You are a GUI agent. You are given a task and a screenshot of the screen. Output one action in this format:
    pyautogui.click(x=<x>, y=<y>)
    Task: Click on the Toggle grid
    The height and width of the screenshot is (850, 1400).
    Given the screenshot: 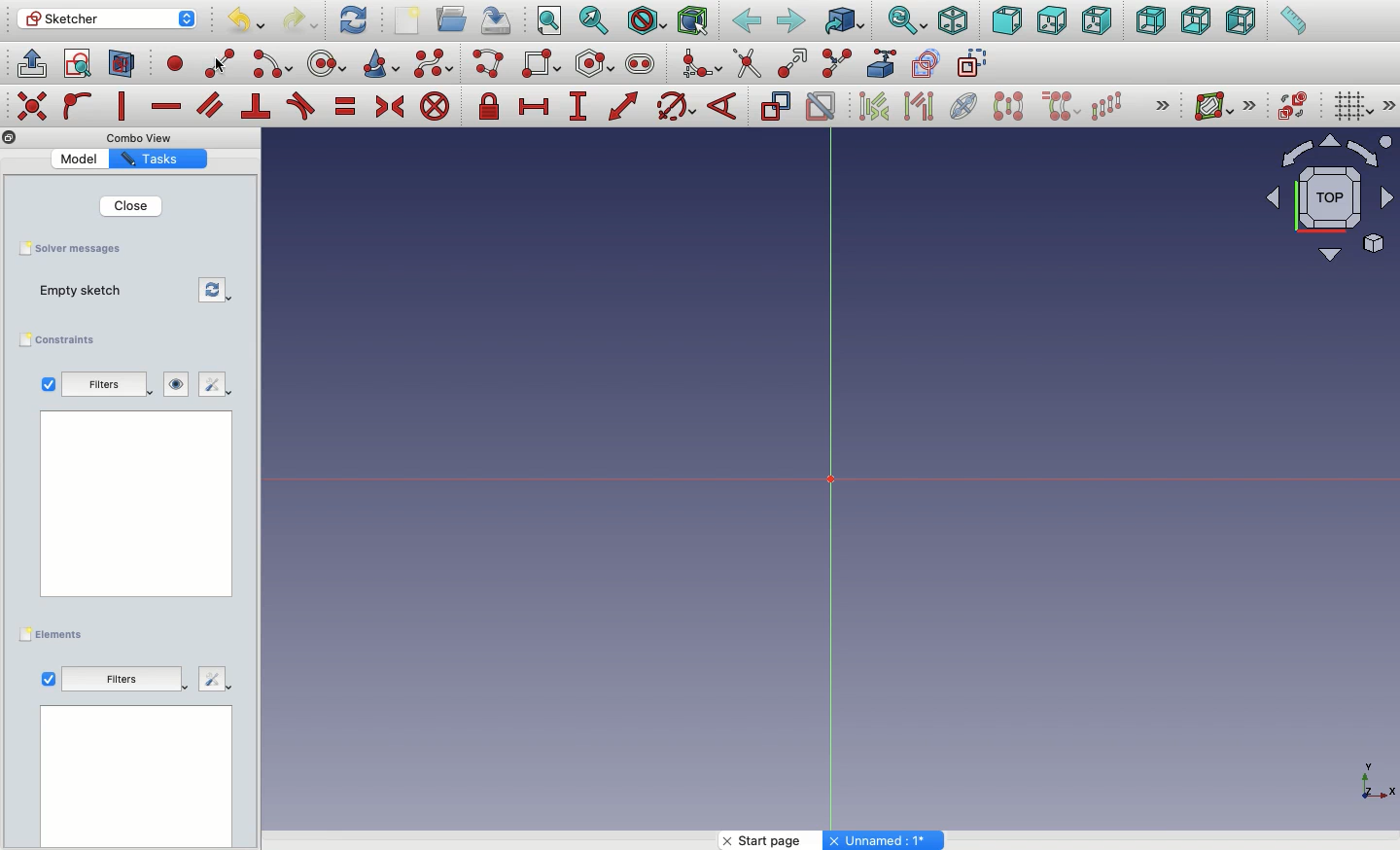 What is the action you would take?
    pyautogui.click(x=1354, y=108)
    